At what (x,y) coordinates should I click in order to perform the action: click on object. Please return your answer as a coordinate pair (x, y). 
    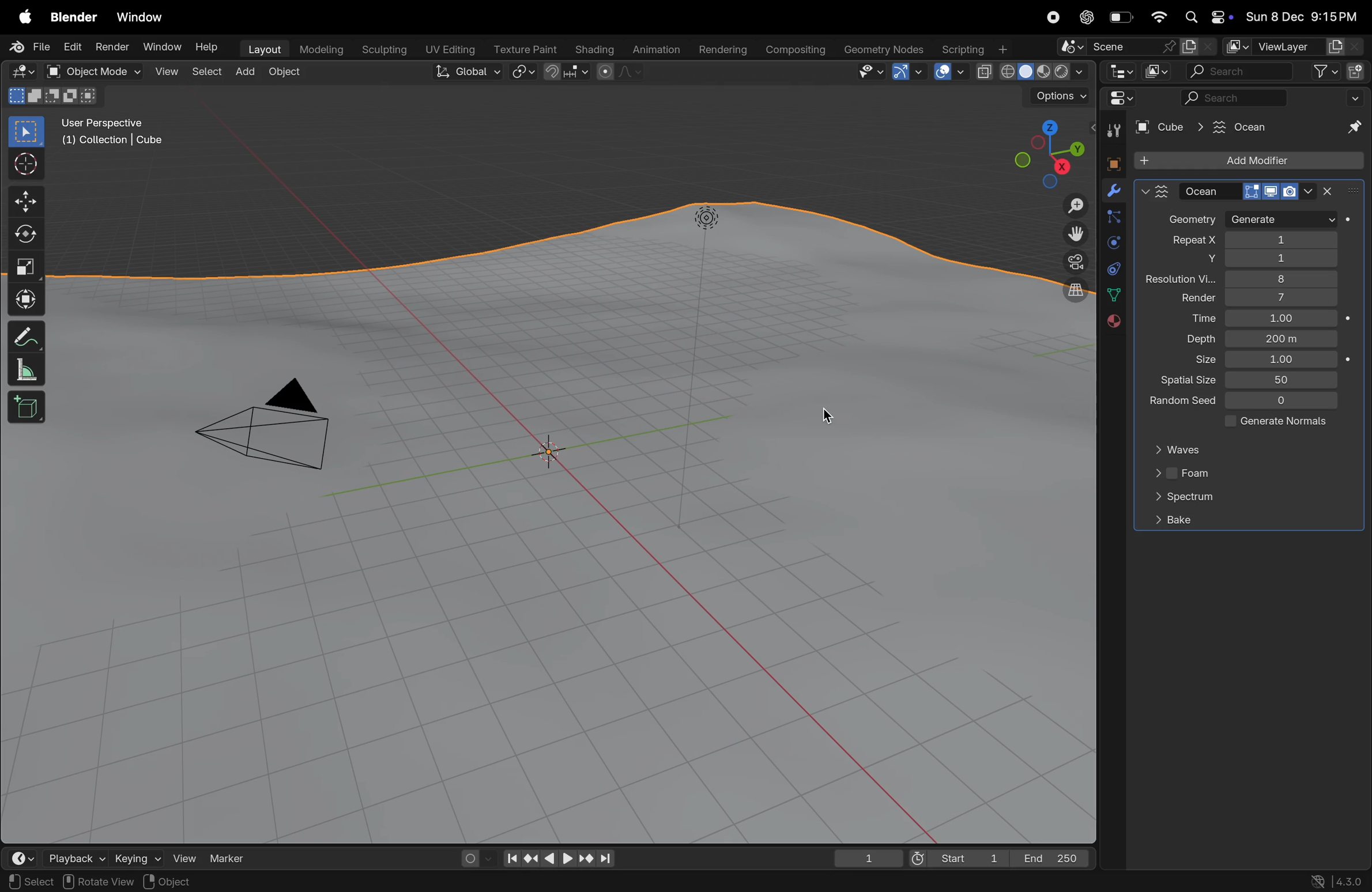
    Looking at the image, I should click on (290, 74).